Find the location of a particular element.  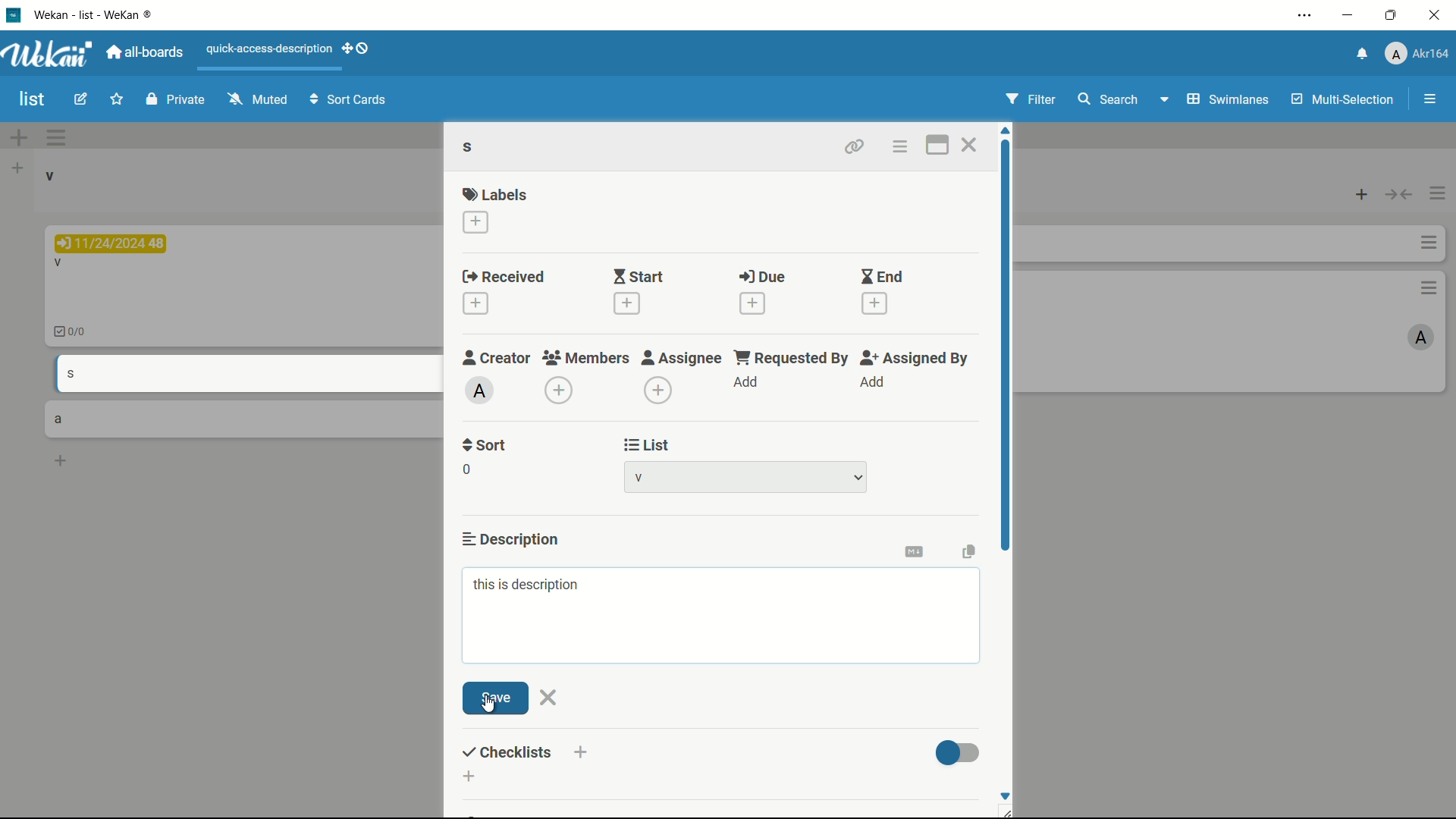

add due date is located at coordinates (753, 303).